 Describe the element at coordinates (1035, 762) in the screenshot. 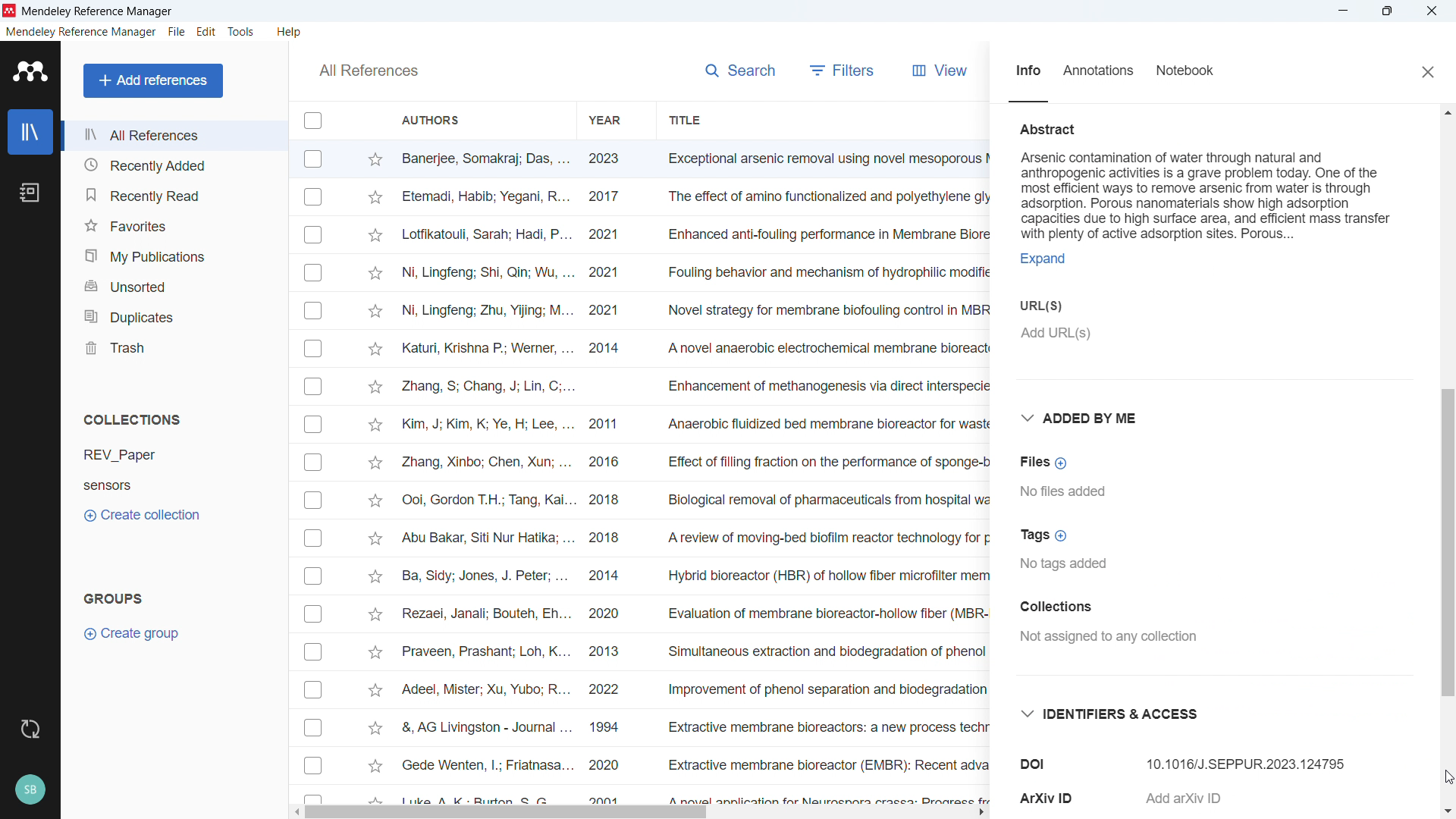

I see `doi` at that location.